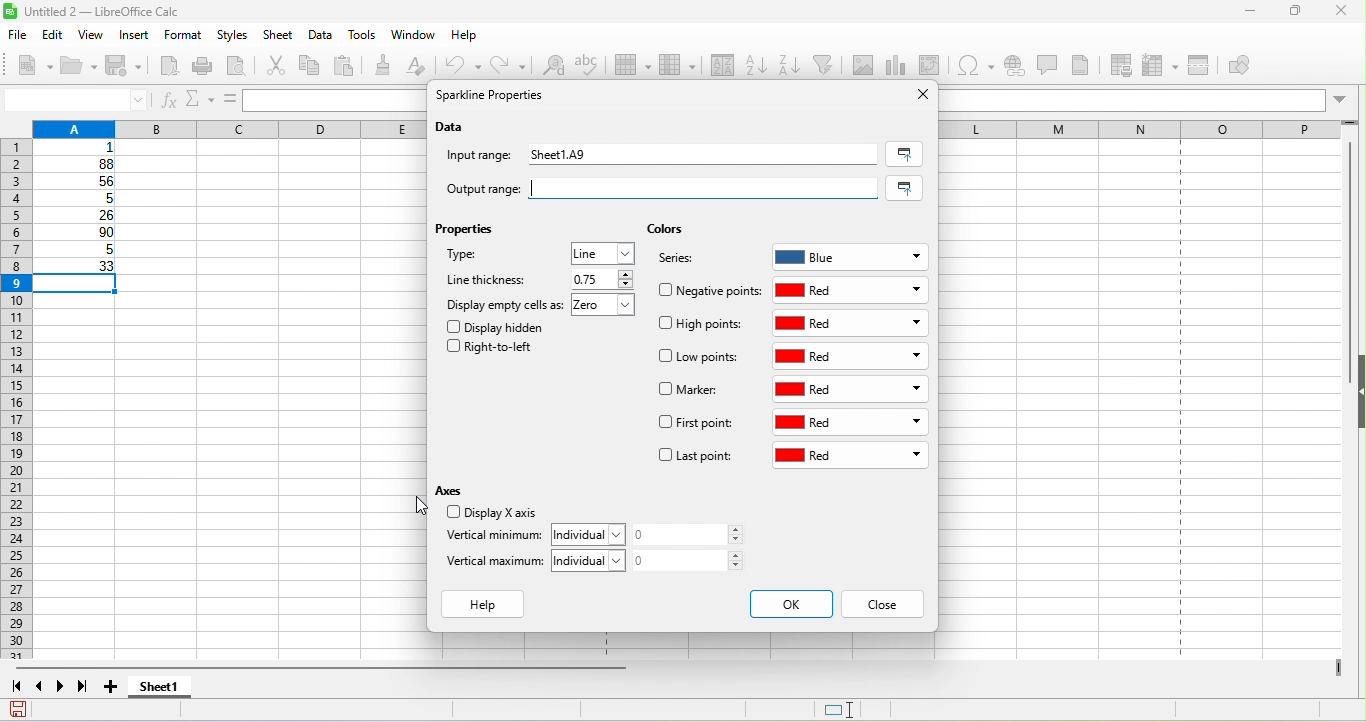  Describe the element at coordinates (686, 261) in the screenshot. I see `series` at that location.